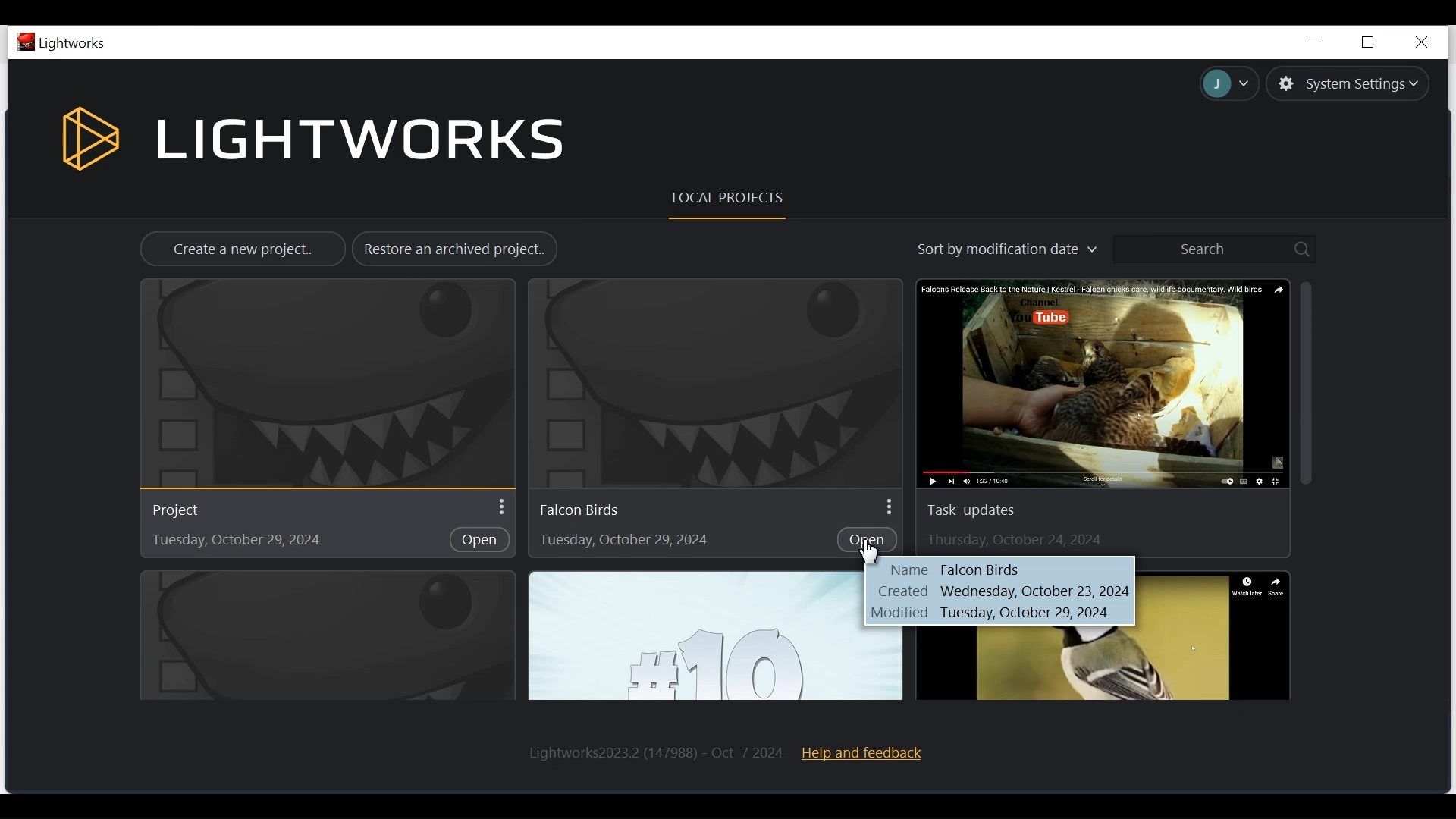  What do you see at coordinates (479, 541) in the screenshot?
I see `Open` at bounding box center [479, 541].